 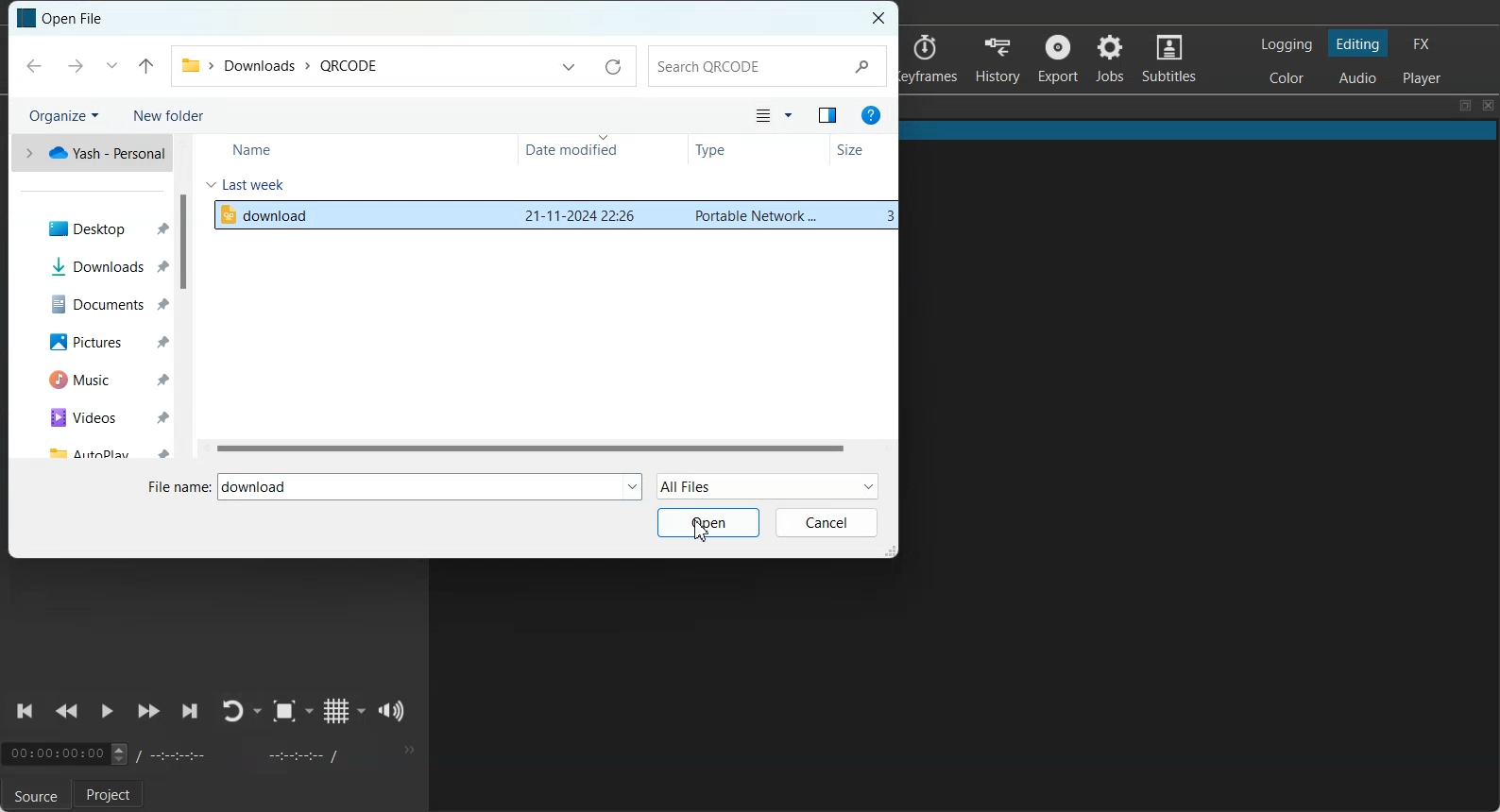 I want to click on Keyframes, so click(x=932, y=59).